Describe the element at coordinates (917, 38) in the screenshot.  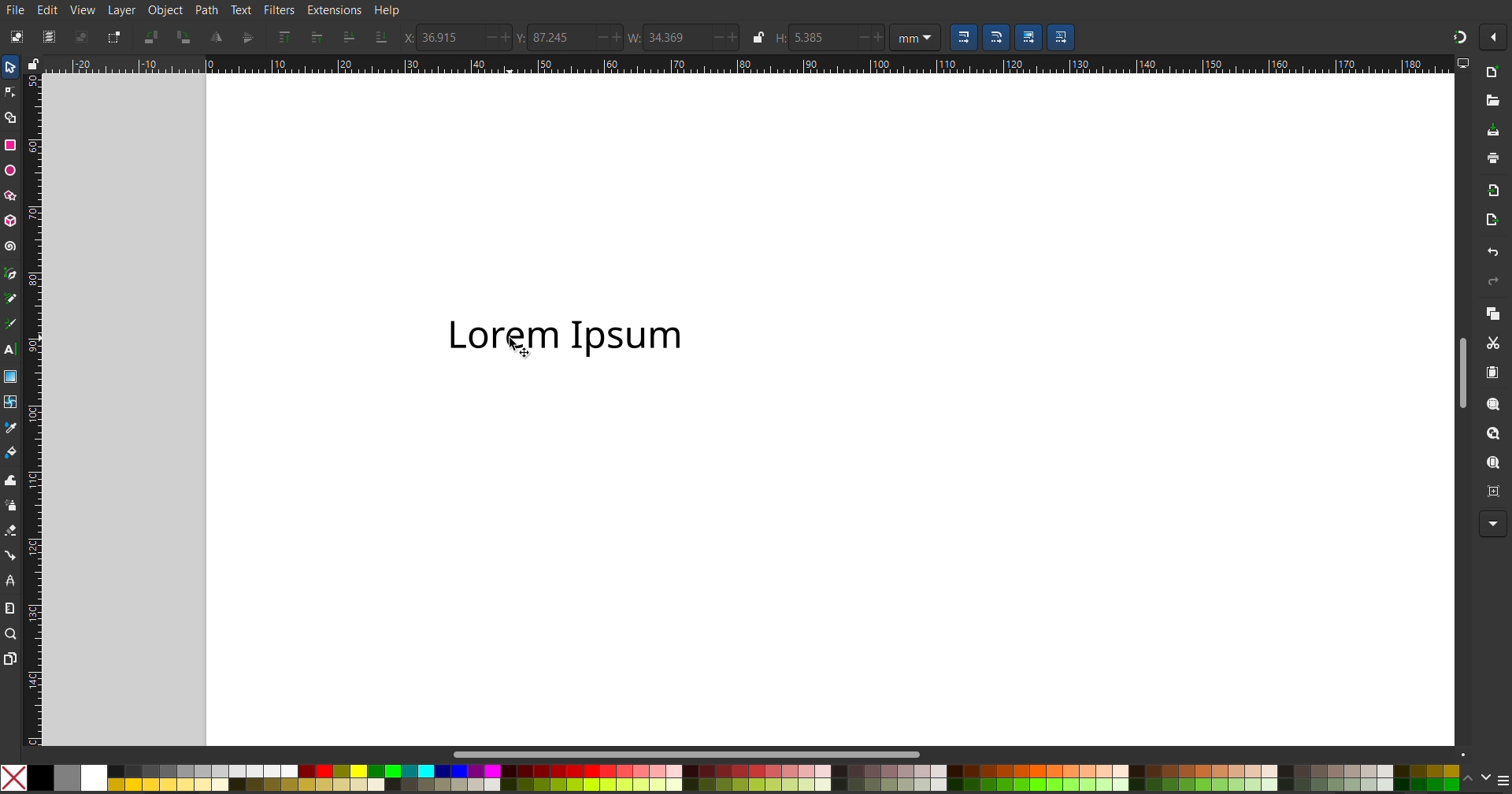
I see `Unit` at that location.